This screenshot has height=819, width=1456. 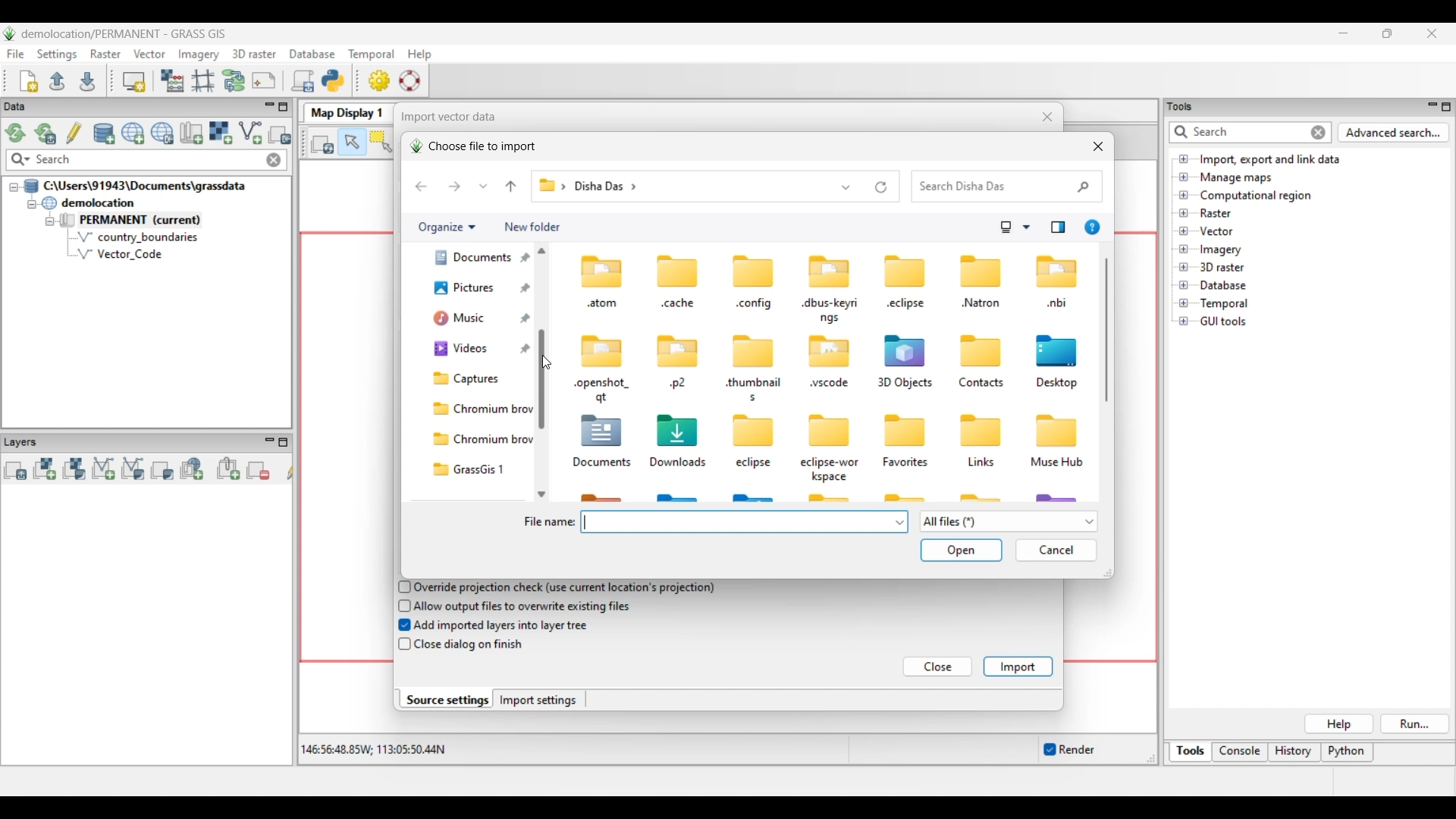 I want to click on checkbox, so click(x=401, y=586).